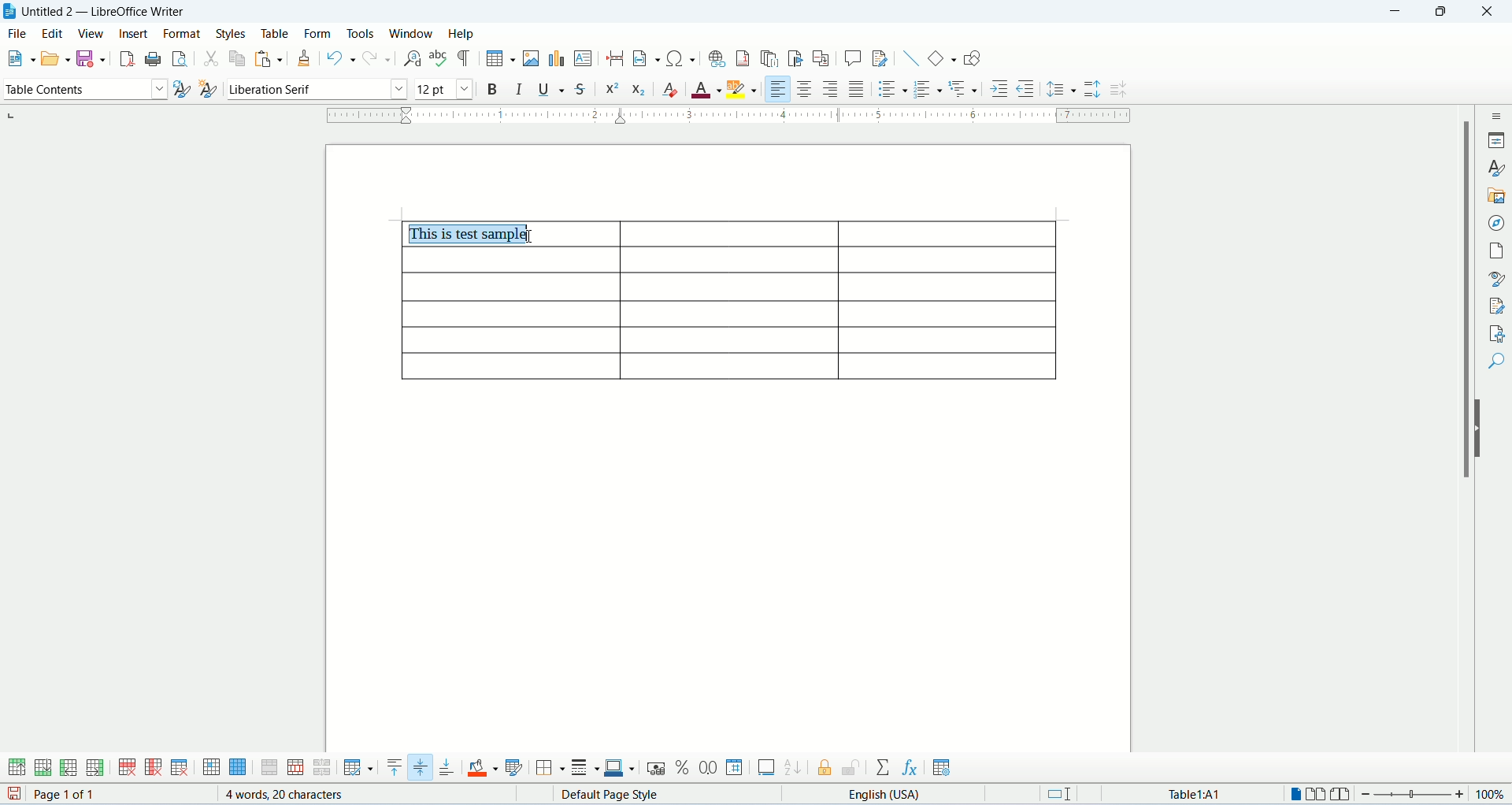  I want to click on find, so click(1497, 362).